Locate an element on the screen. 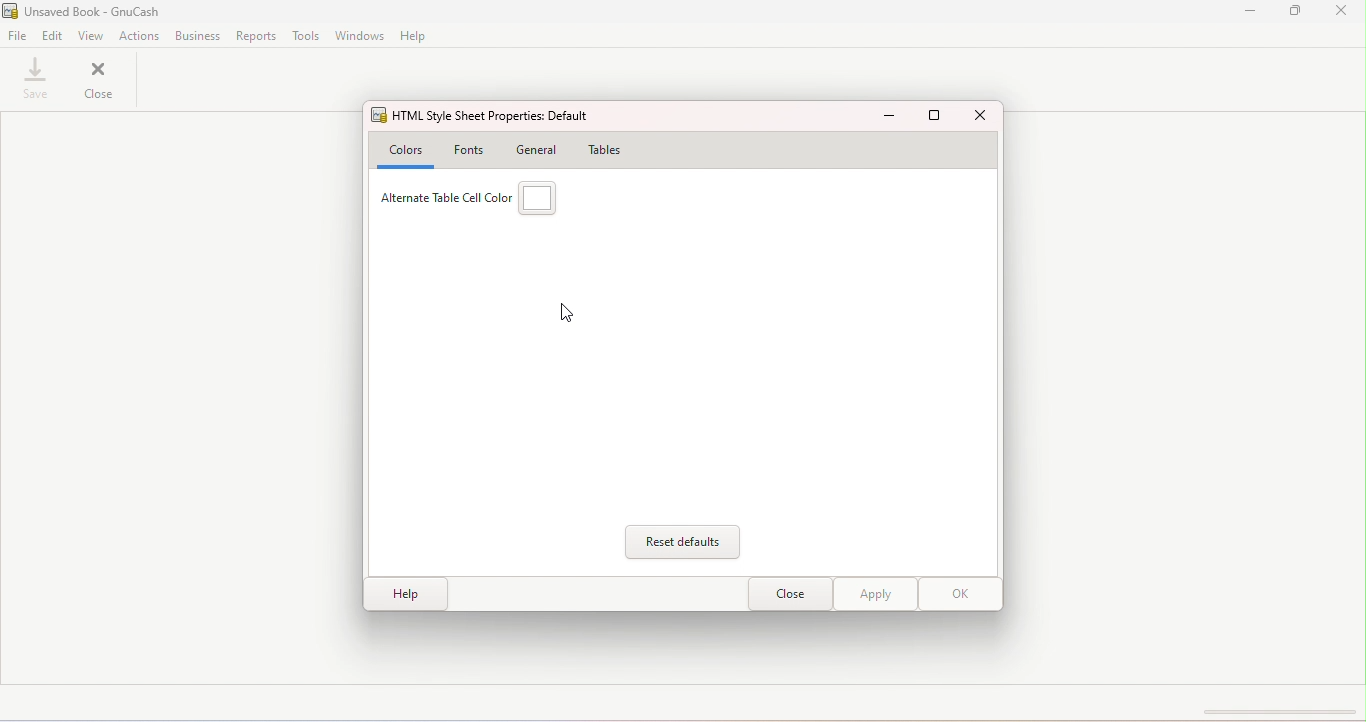  View is located at coordinates (89, 37).